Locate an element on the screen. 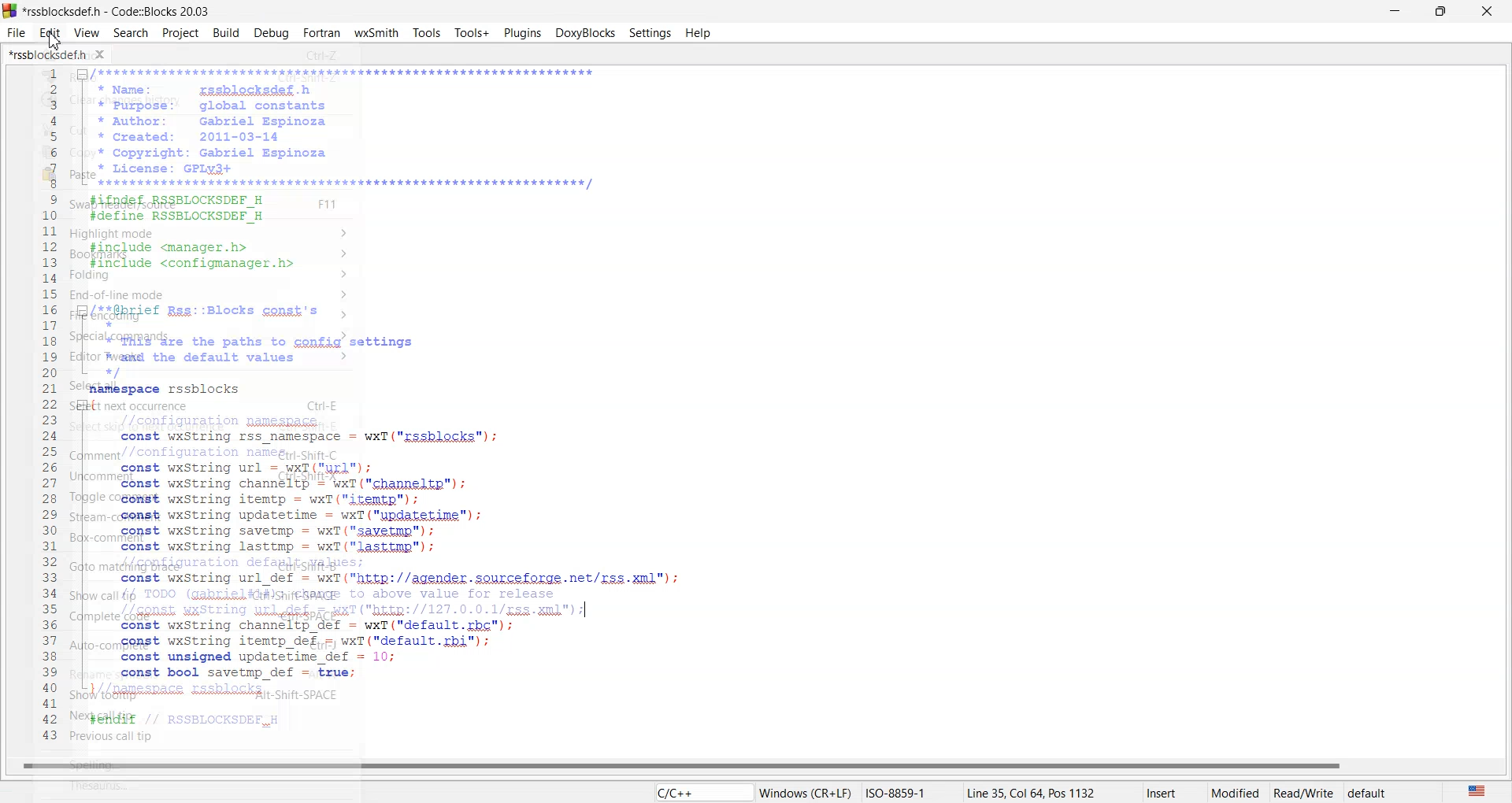 Image resolution: width=1512 pixels, height=803 pixels. Project is located at coordinates (180, 34).